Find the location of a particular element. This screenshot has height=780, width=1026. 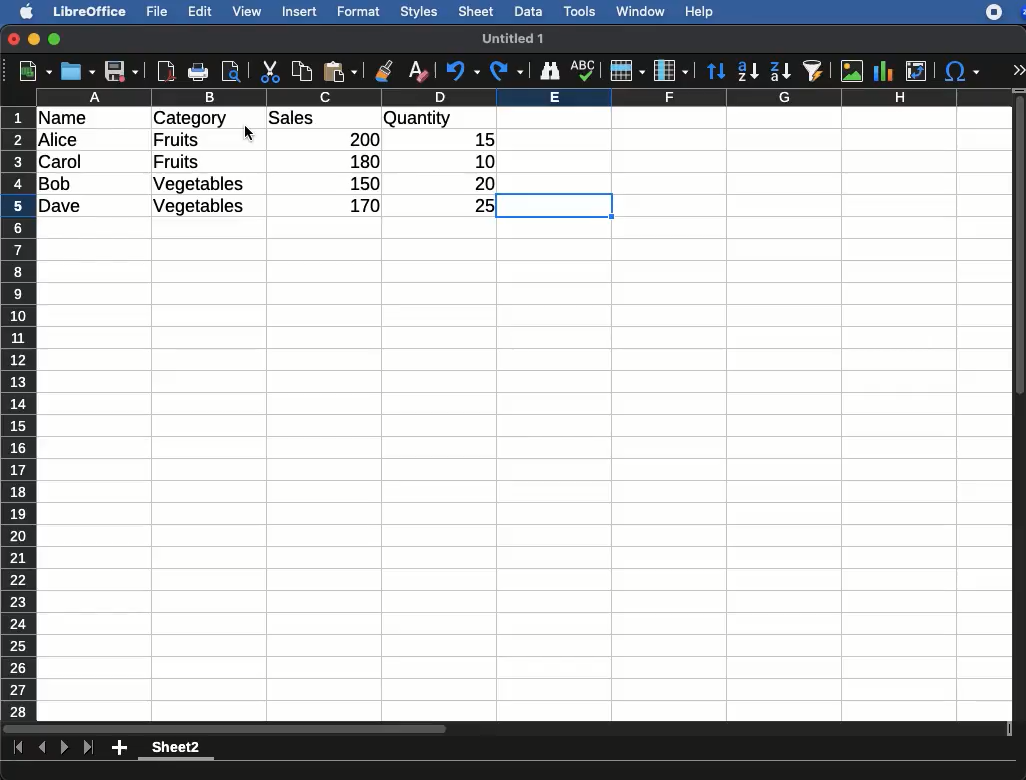

Fruits is located at coordinates (176, 162).